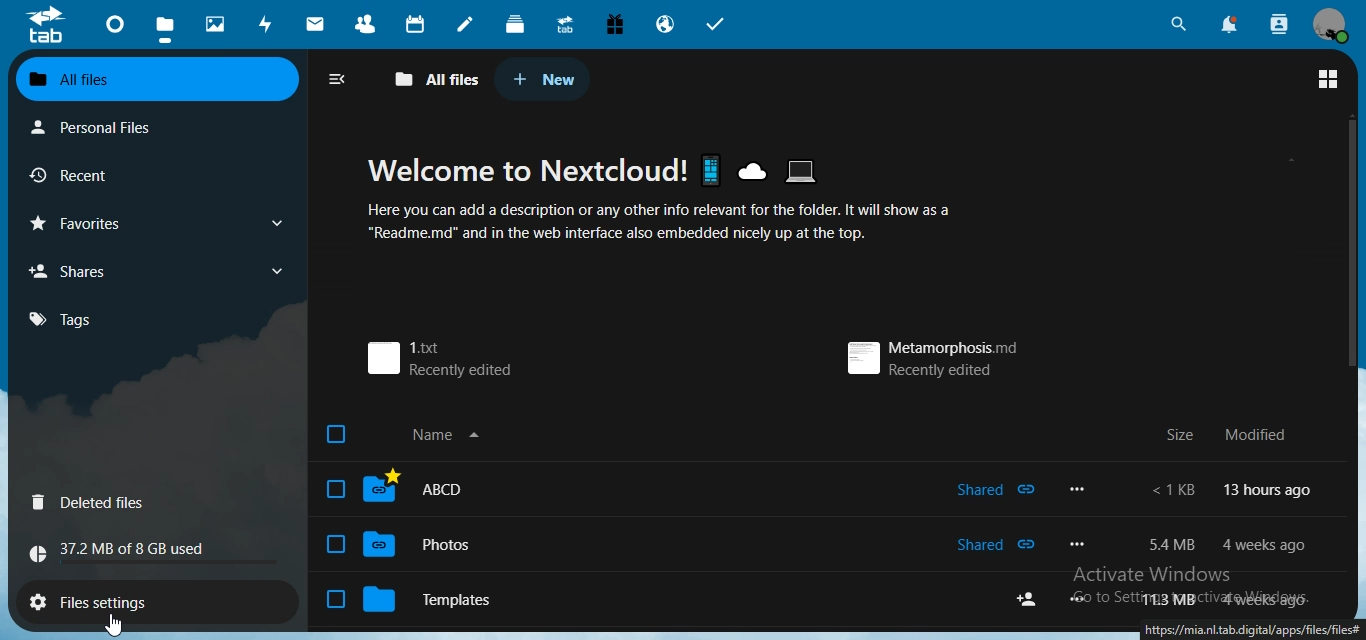  I want to click on mail, so click(315, 24).